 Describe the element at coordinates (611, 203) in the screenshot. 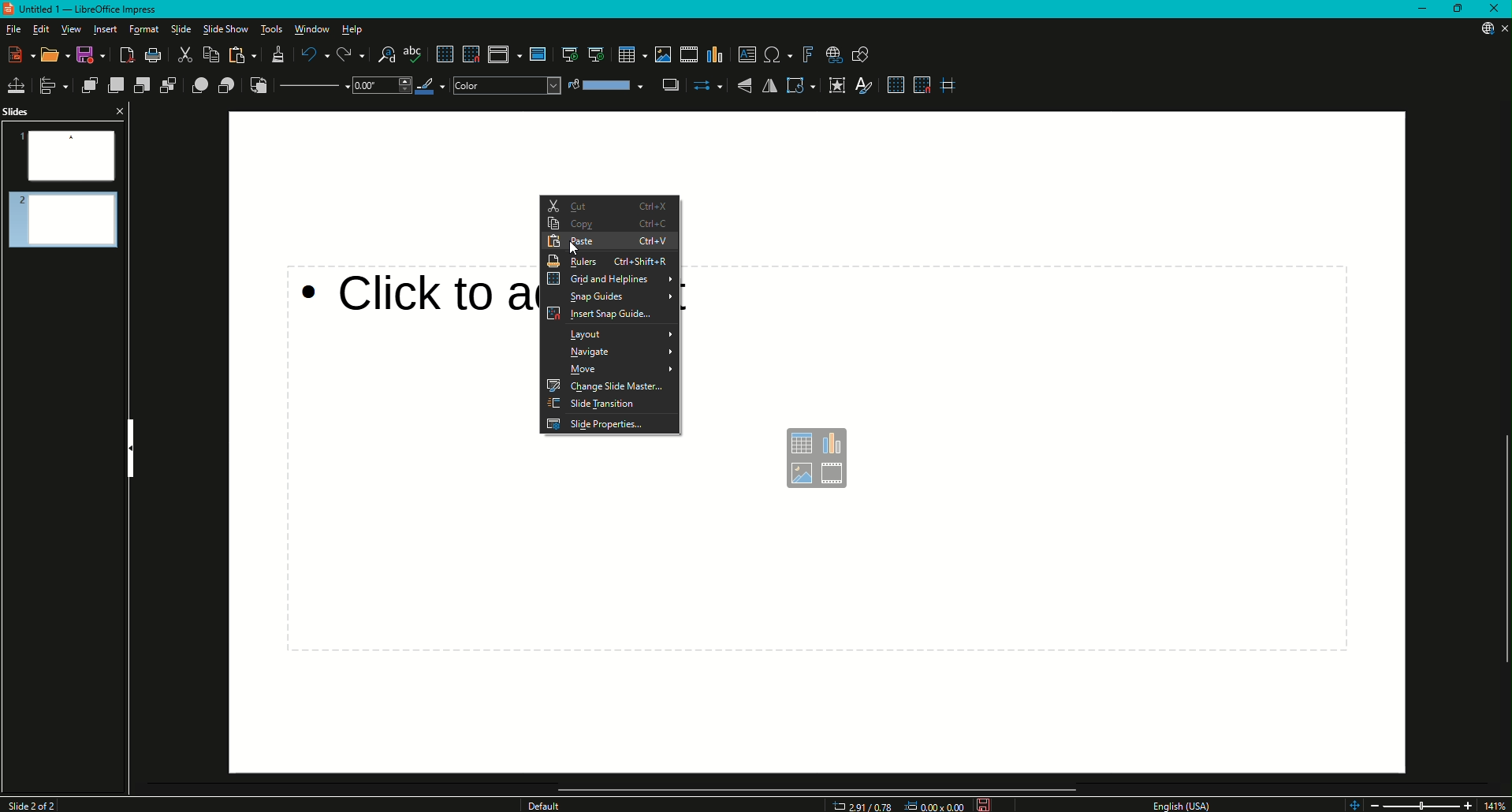

I see `Cut` at that location.